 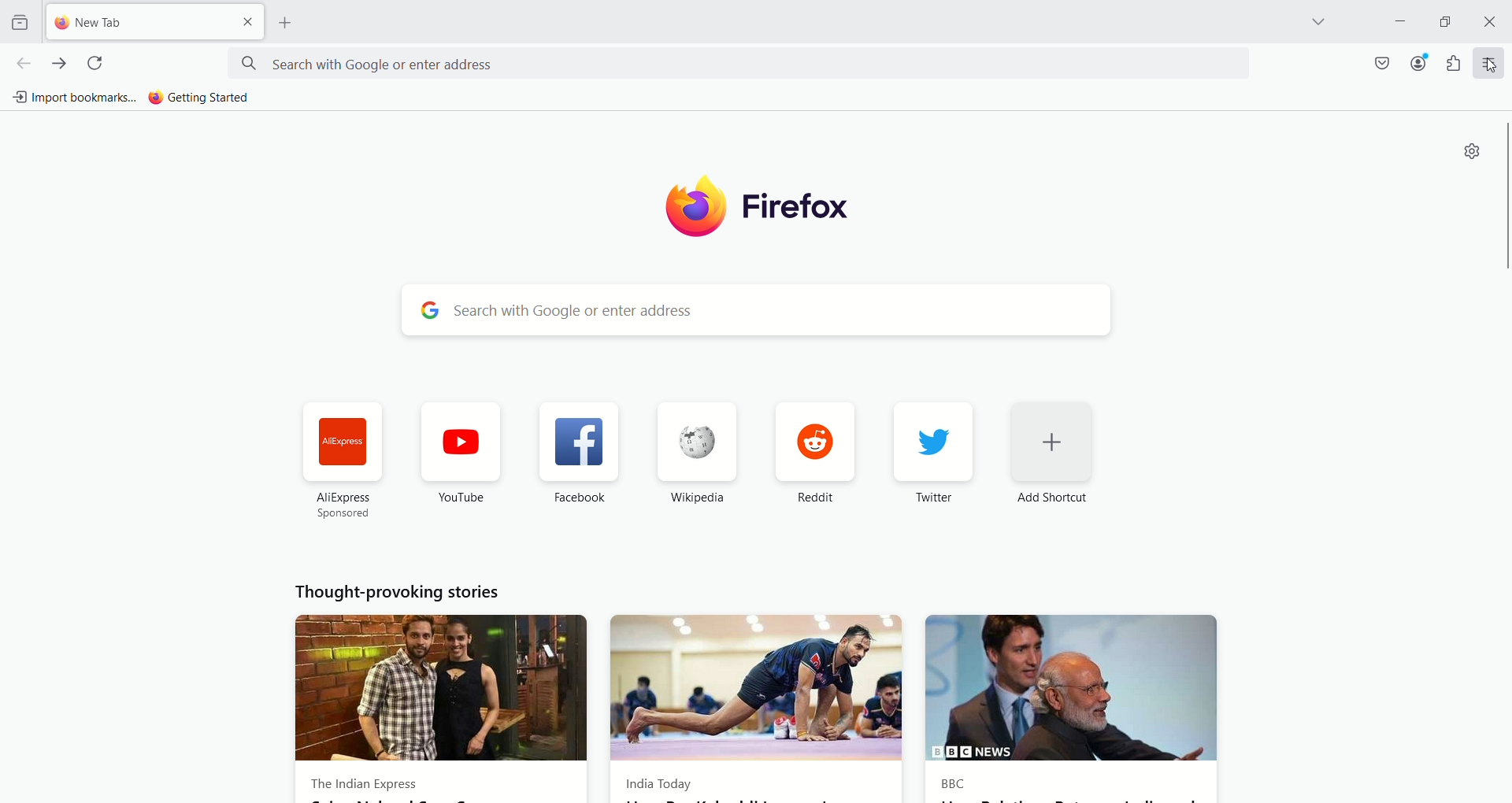 I want to click on maximize, so click(x=1445, y=23).